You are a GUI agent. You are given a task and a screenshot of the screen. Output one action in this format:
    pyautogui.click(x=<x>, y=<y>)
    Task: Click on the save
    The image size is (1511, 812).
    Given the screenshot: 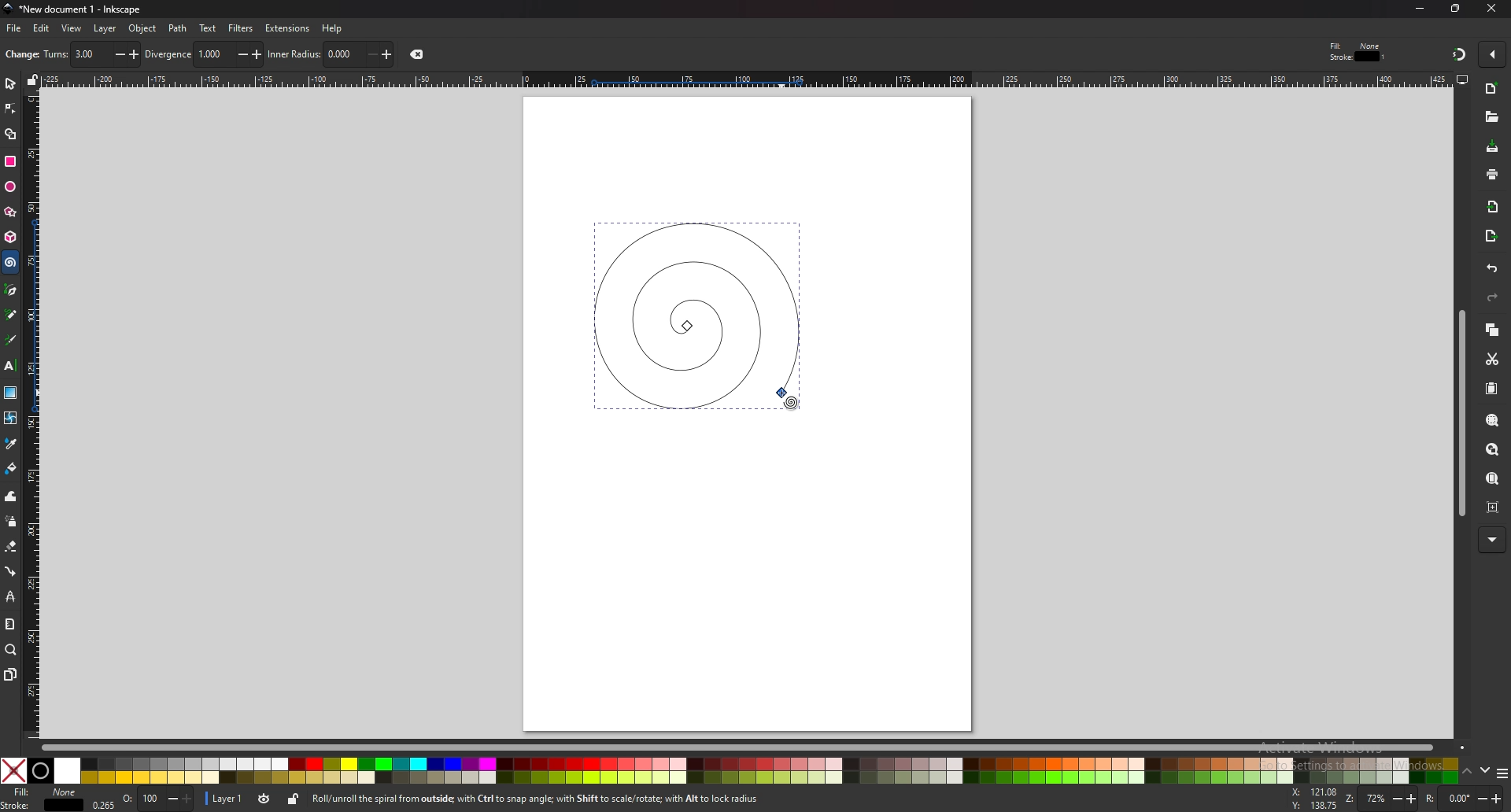 What is the action you would take?
    pyautogui.click(x=1492, y=146)
    